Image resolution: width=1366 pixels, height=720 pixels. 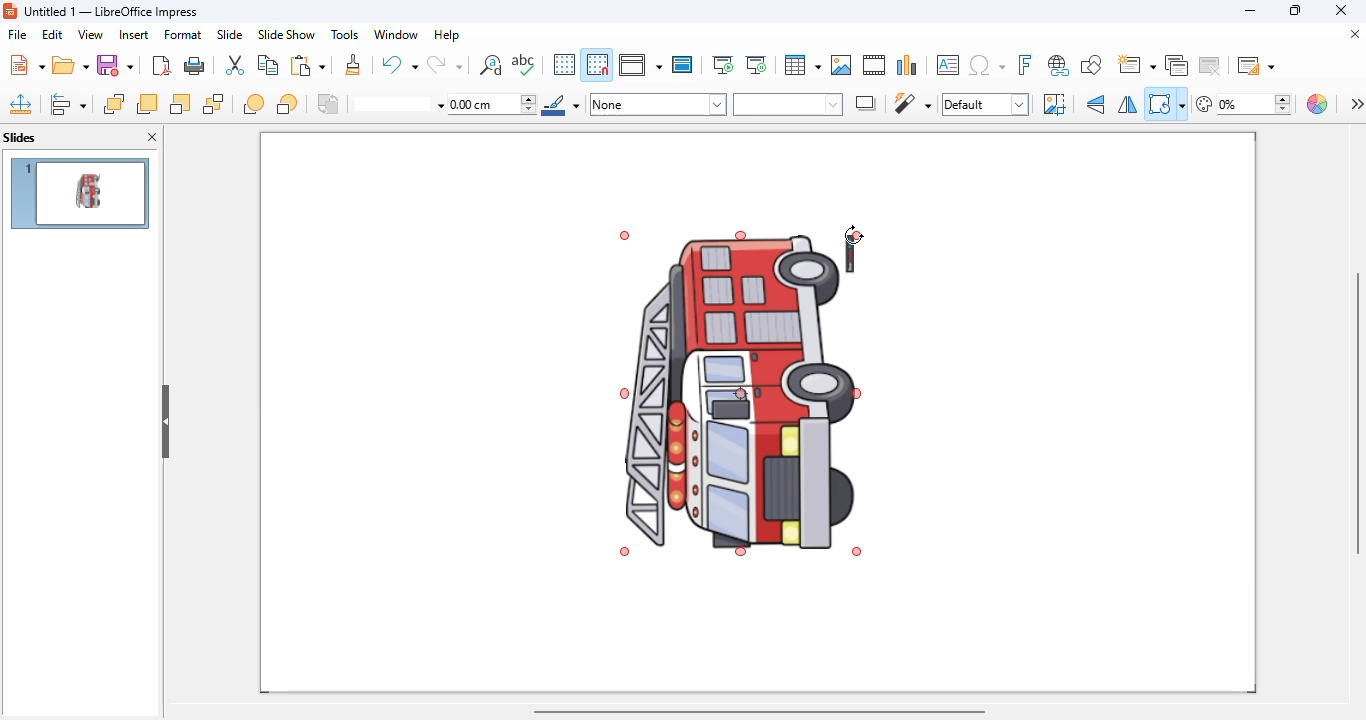 What do you see at coordinates (268, 65) in the screenshot?
I see `copy` at bounding box center [268, 65].